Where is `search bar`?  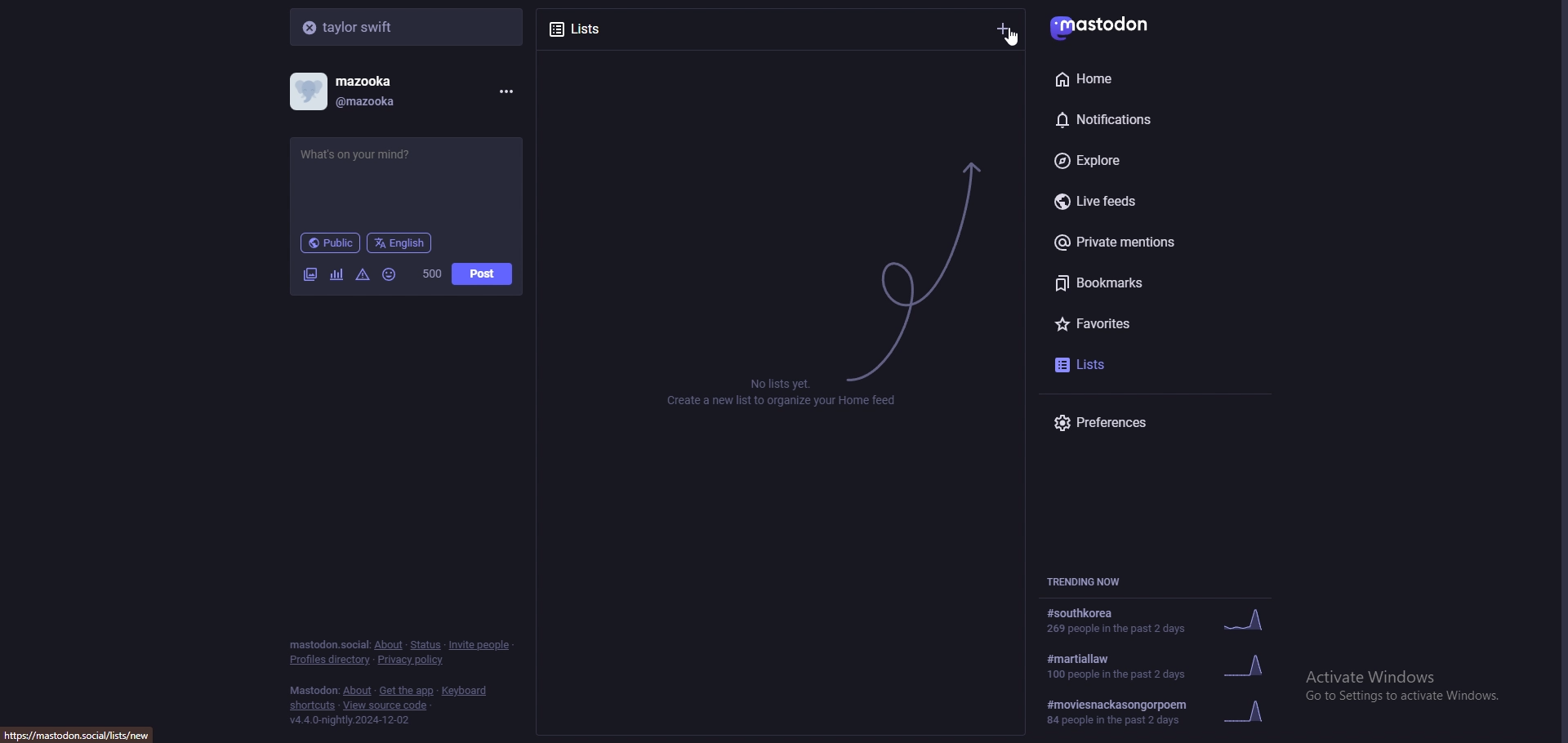 search bar is located at coordinates (408, 26).